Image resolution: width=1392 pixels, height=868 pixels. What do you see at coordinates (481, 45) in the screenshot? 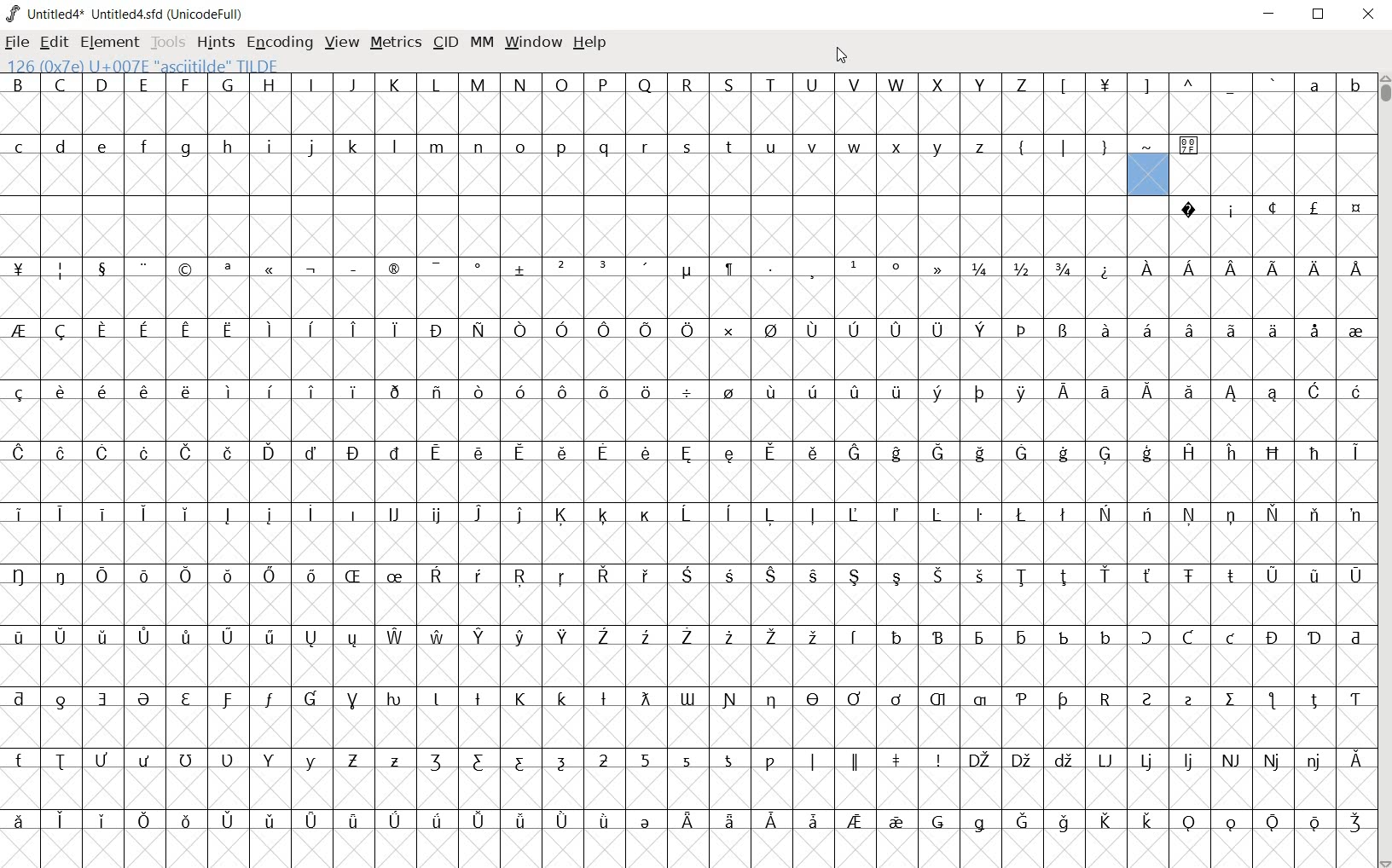
I see `MM` at bounding box center [481, 45].